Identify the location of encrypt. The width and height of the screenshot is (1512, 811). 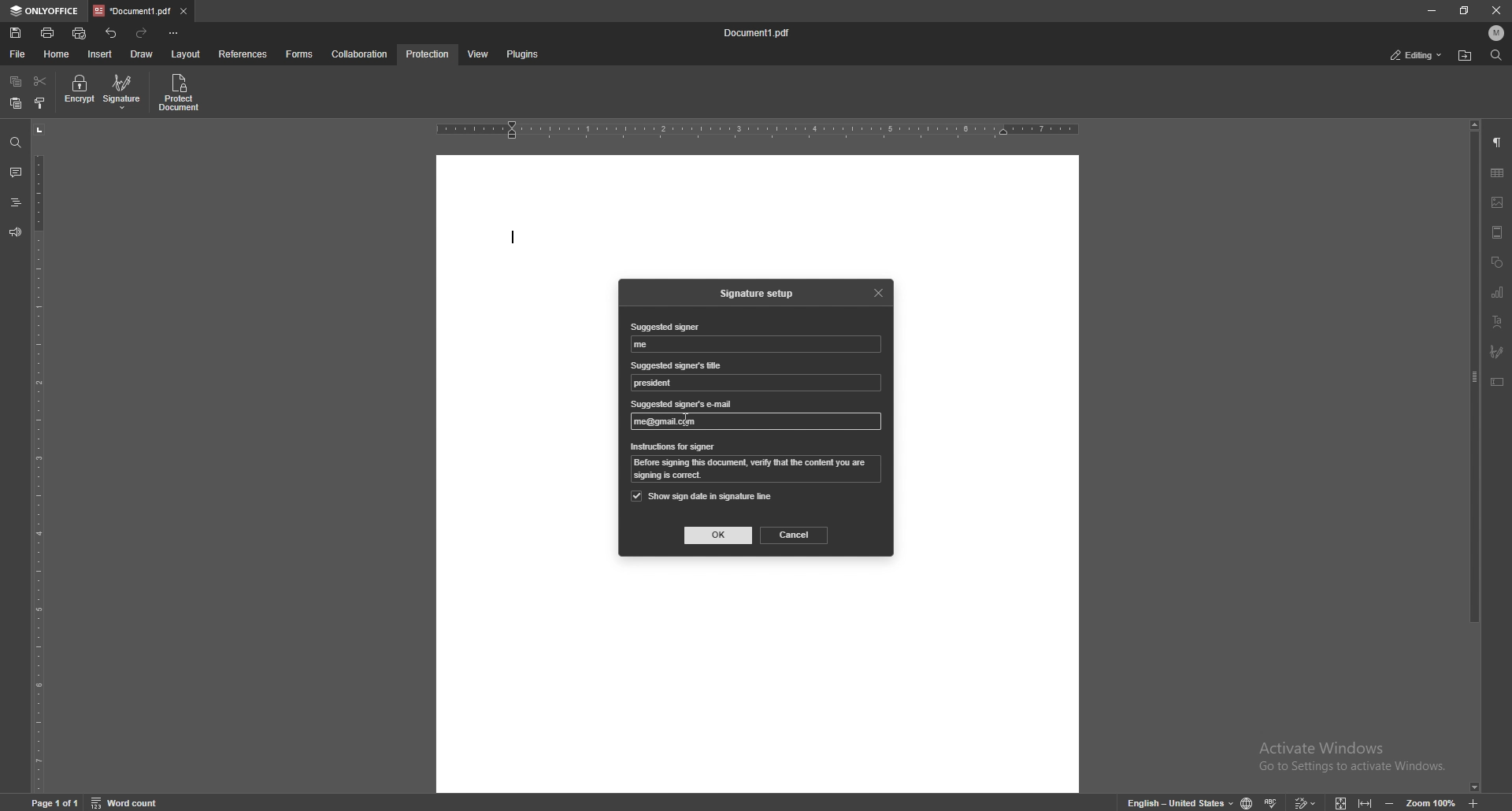
(79, 91).